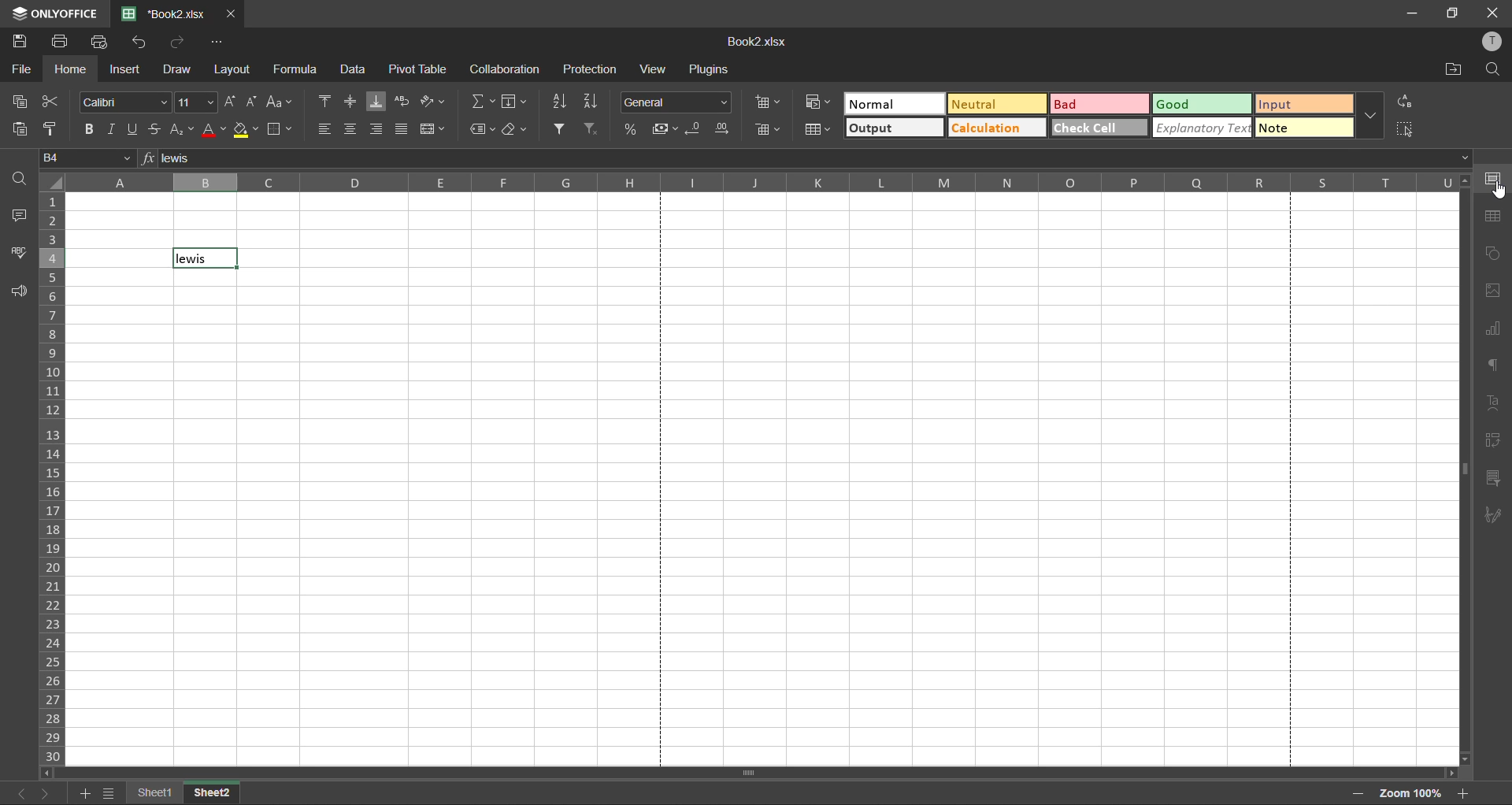 The height and width of the screenshot is (805, 1512). Describe the element at coordinates (1497, 365) in the screenshot. I see `paragraph` at that location.